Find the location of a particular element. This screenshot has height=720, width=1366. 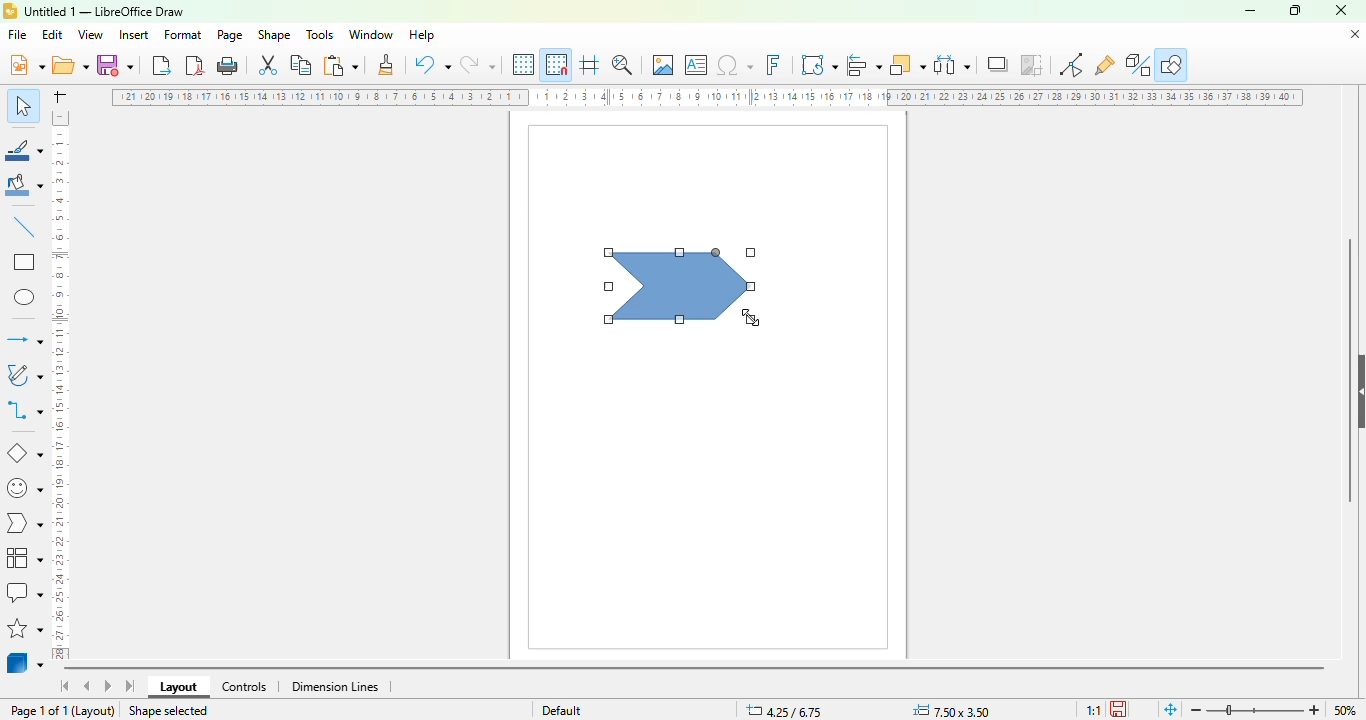

change in width and height of object is located at coordinates (951, 711).